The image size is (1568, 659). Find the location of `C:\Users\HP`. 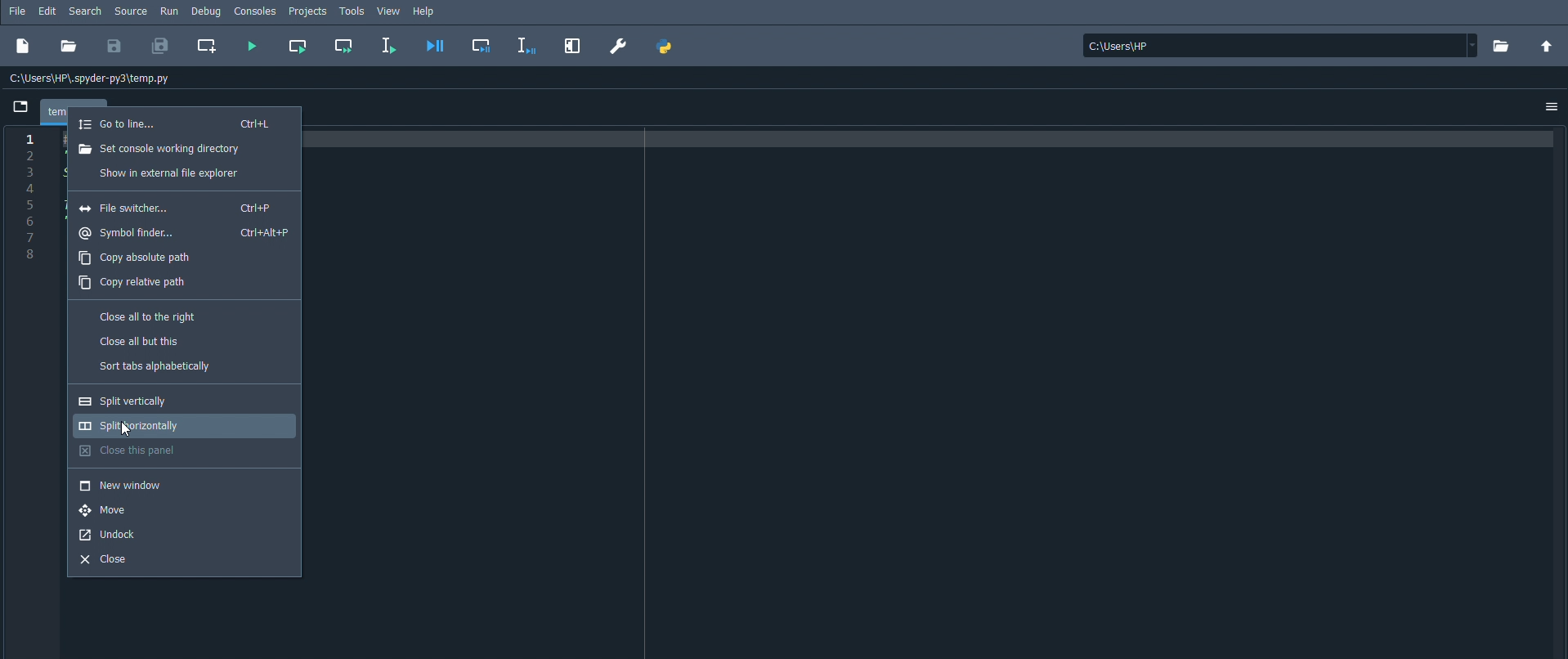

C:\Users\HP is located at coordinates (1280, 46).